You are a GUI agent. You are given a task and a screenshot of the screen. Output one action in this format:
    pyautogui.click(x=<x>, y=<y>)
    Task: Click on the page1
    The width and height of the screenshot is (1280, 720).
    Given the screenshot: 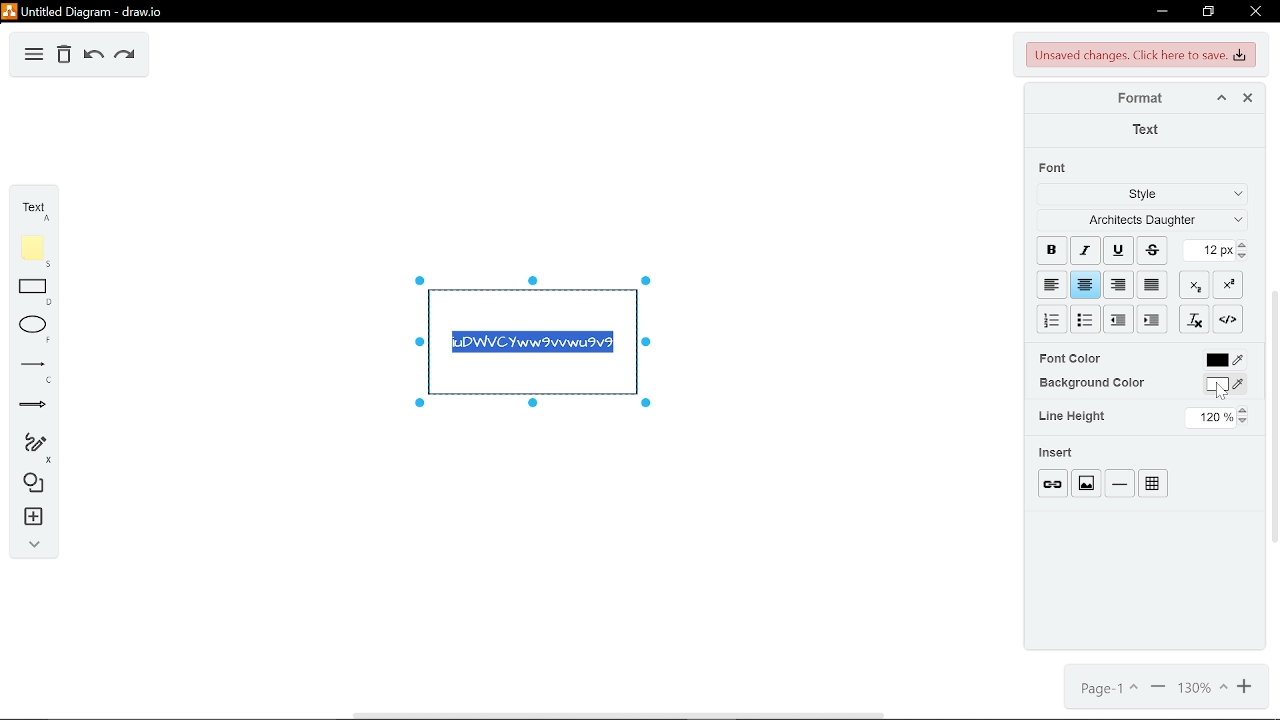 What is the action you would take?
    pyautogui.click(x=1107, y=689)
    